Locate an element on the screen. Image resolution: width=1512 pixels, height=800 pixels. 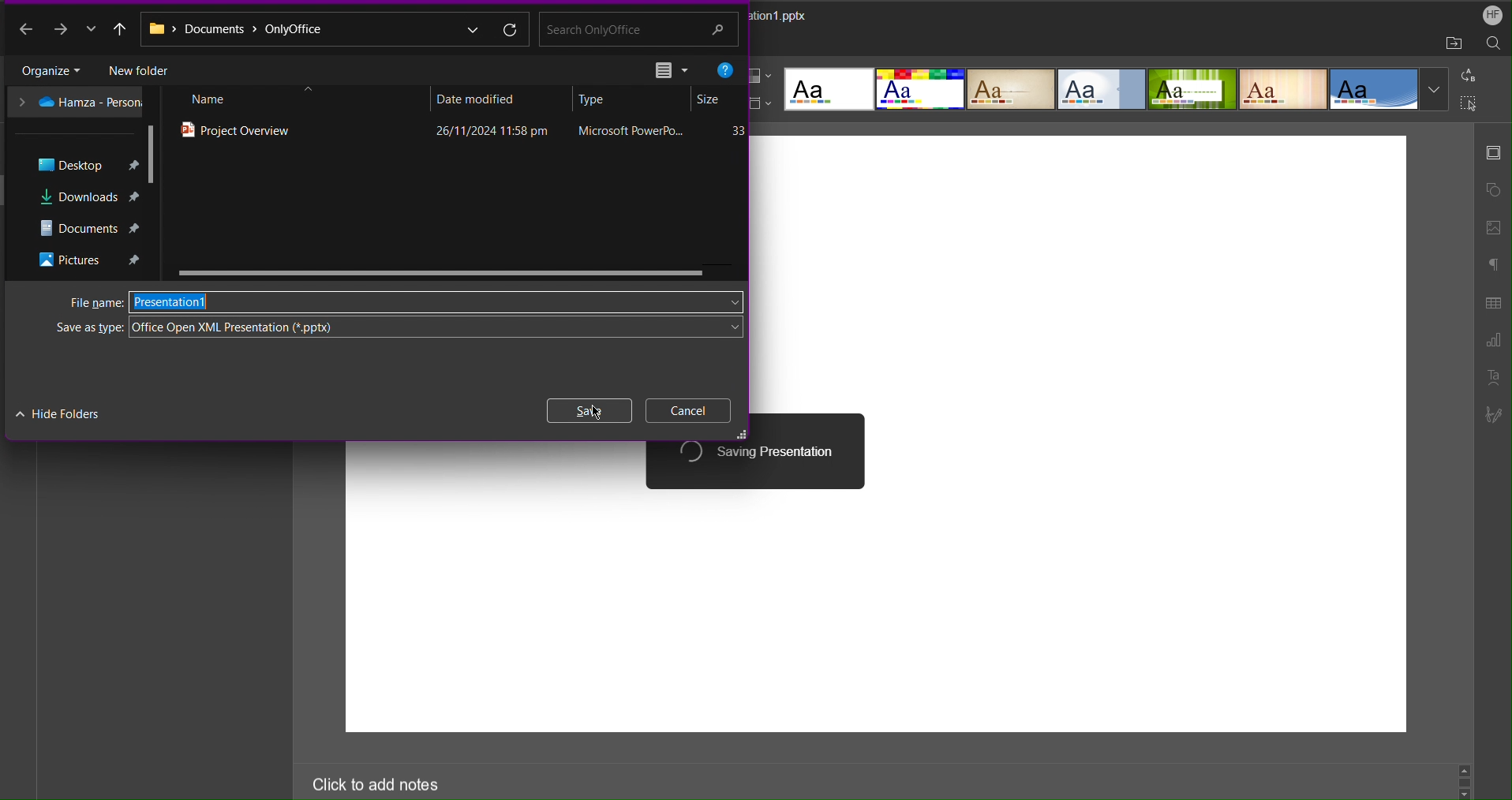
Save as type is located at coordinates (396, 332).